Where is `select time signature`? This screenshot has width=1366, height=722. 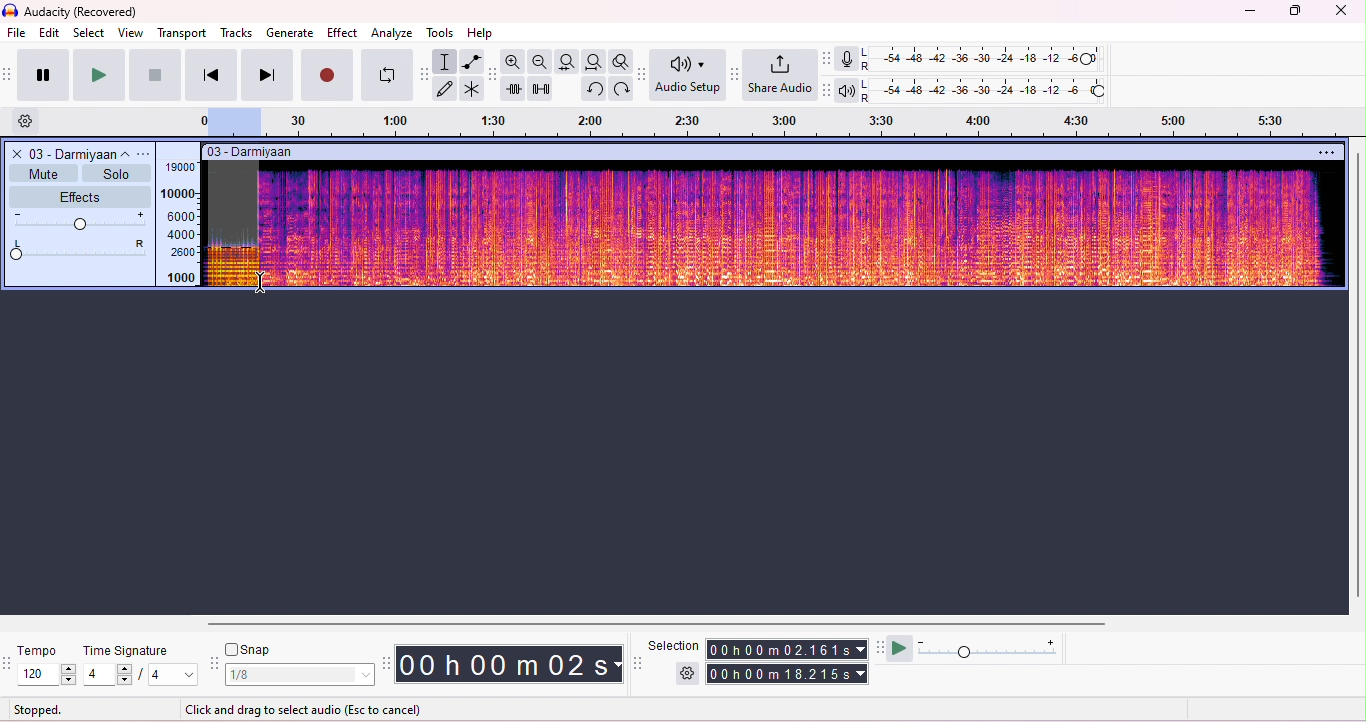 select time signature is located at coordinates (139, 675).